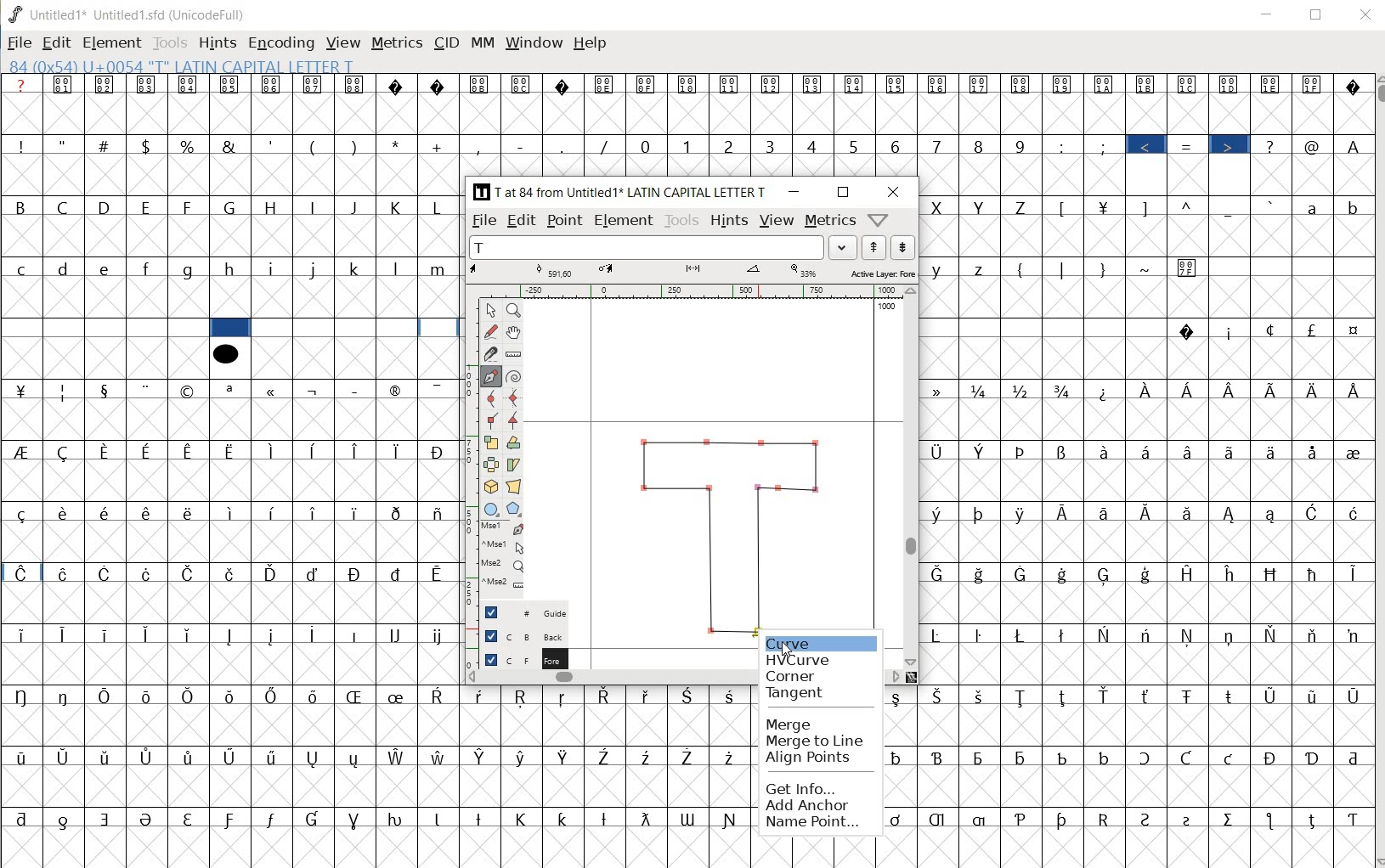 This screenshot has height=868, width=1385. Describe the element at coordinates (101, 327) in the screenshot. I see `empty spaces` at that location.